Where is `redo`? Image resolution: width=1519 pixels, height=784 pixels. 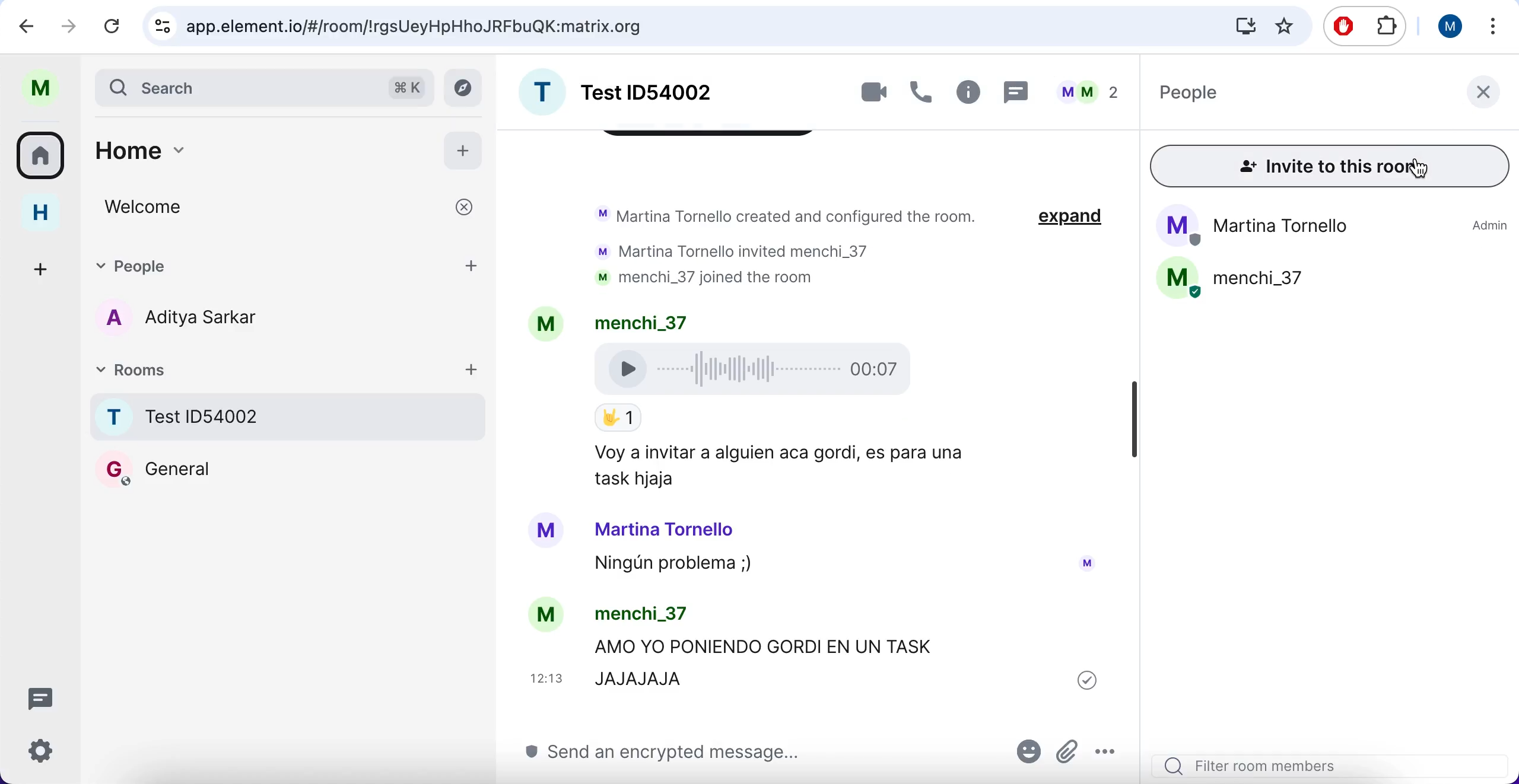
redo is located at coordinates (68, 26).